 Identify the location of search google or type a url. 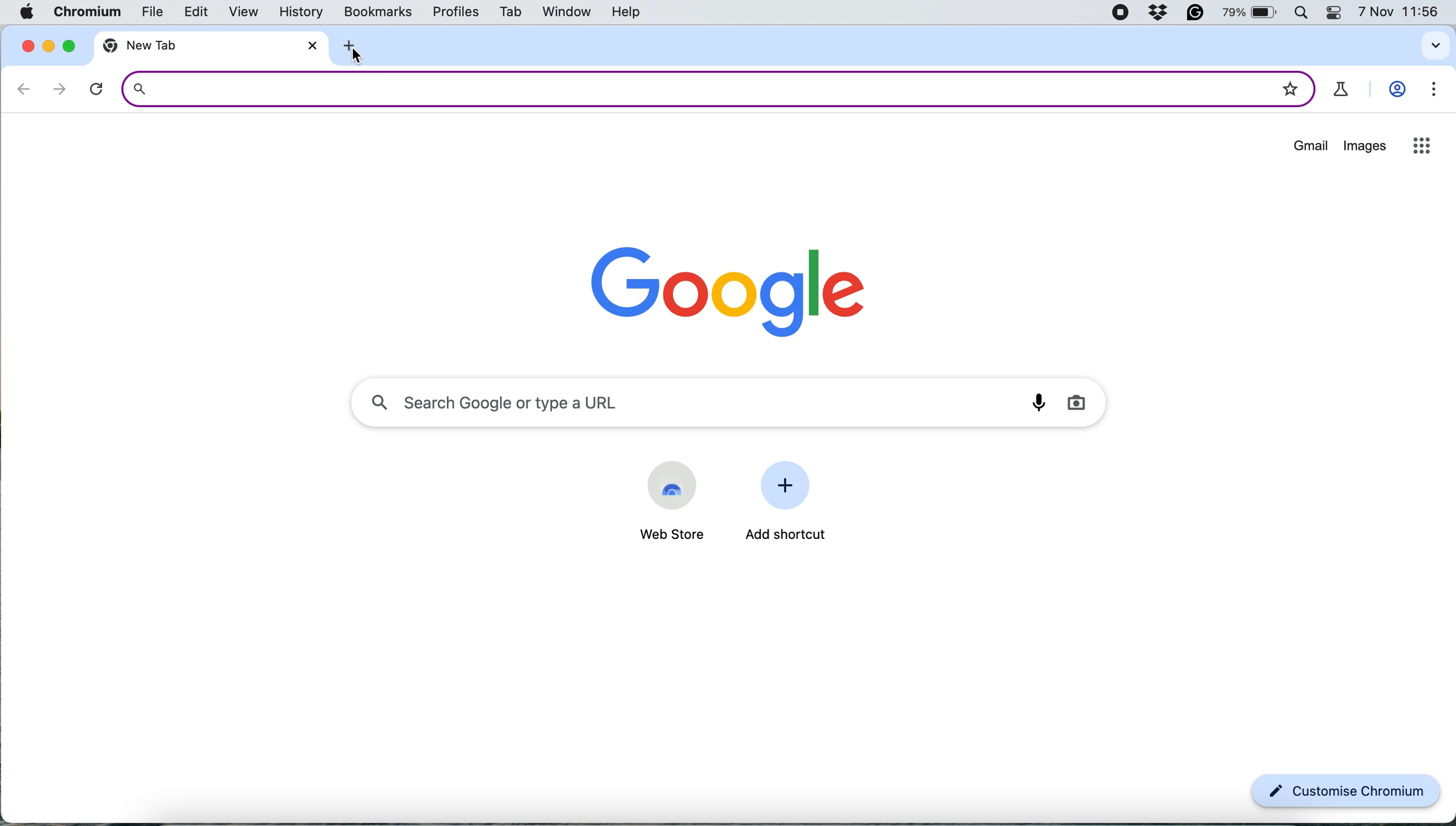
(731, 399).